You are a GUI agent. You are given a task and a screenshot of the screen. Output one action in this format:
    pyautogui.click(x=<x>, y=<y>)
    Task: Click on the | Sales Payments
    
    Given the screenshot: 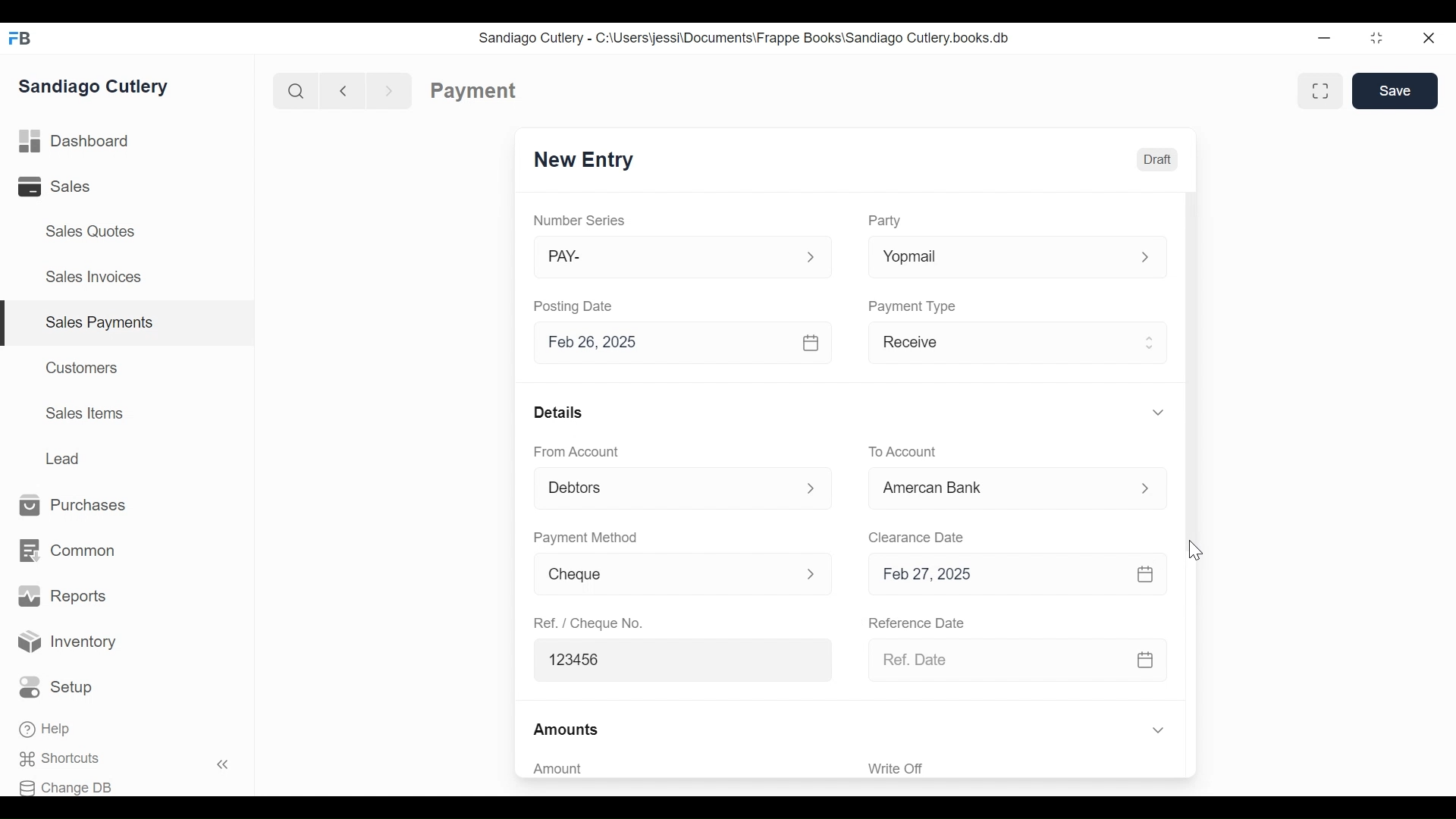 What is the action you would take?
    pyautogui.click(x=129, y=324)
    